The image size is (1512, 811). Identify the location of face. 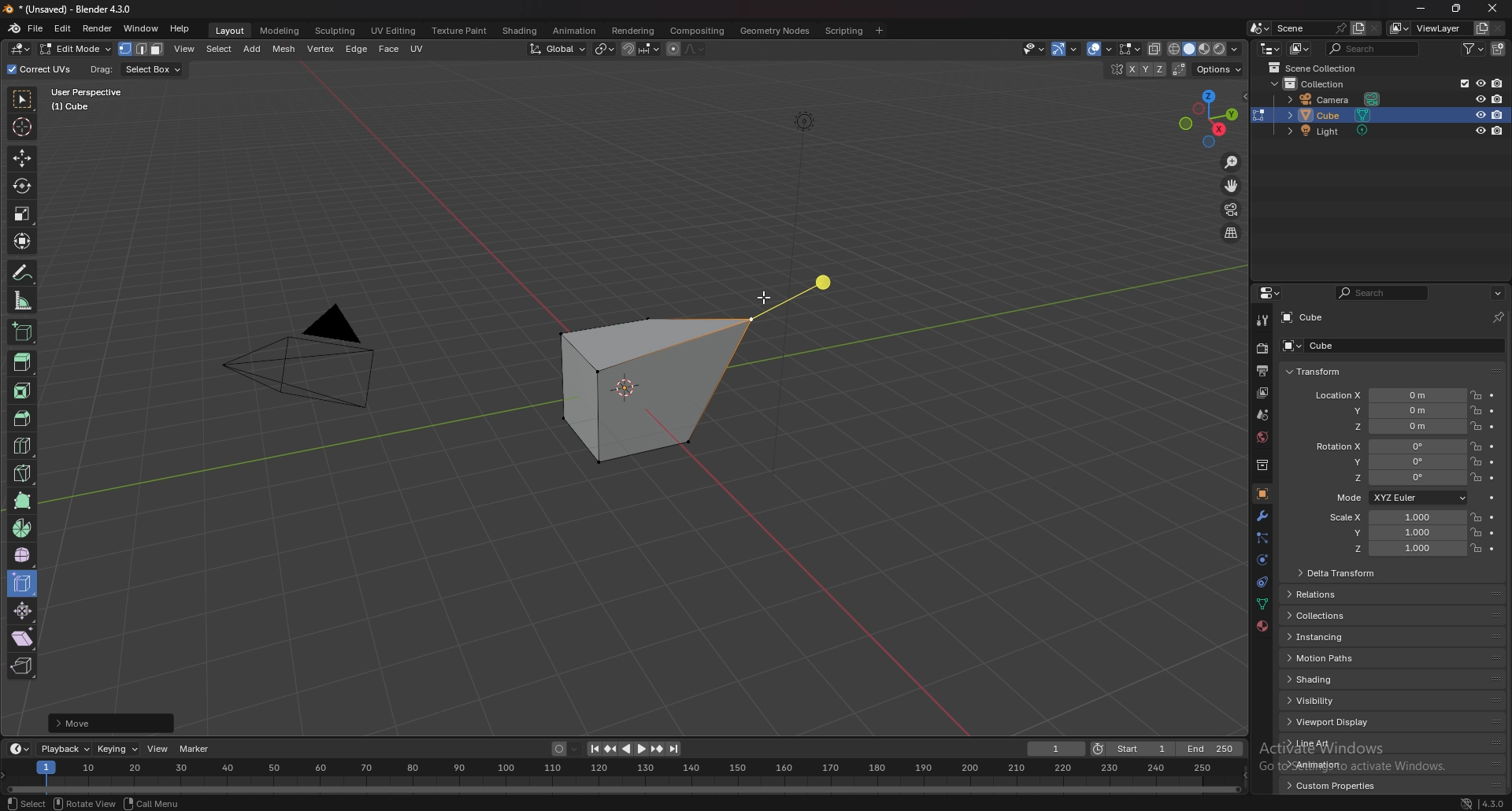
(389, 50).